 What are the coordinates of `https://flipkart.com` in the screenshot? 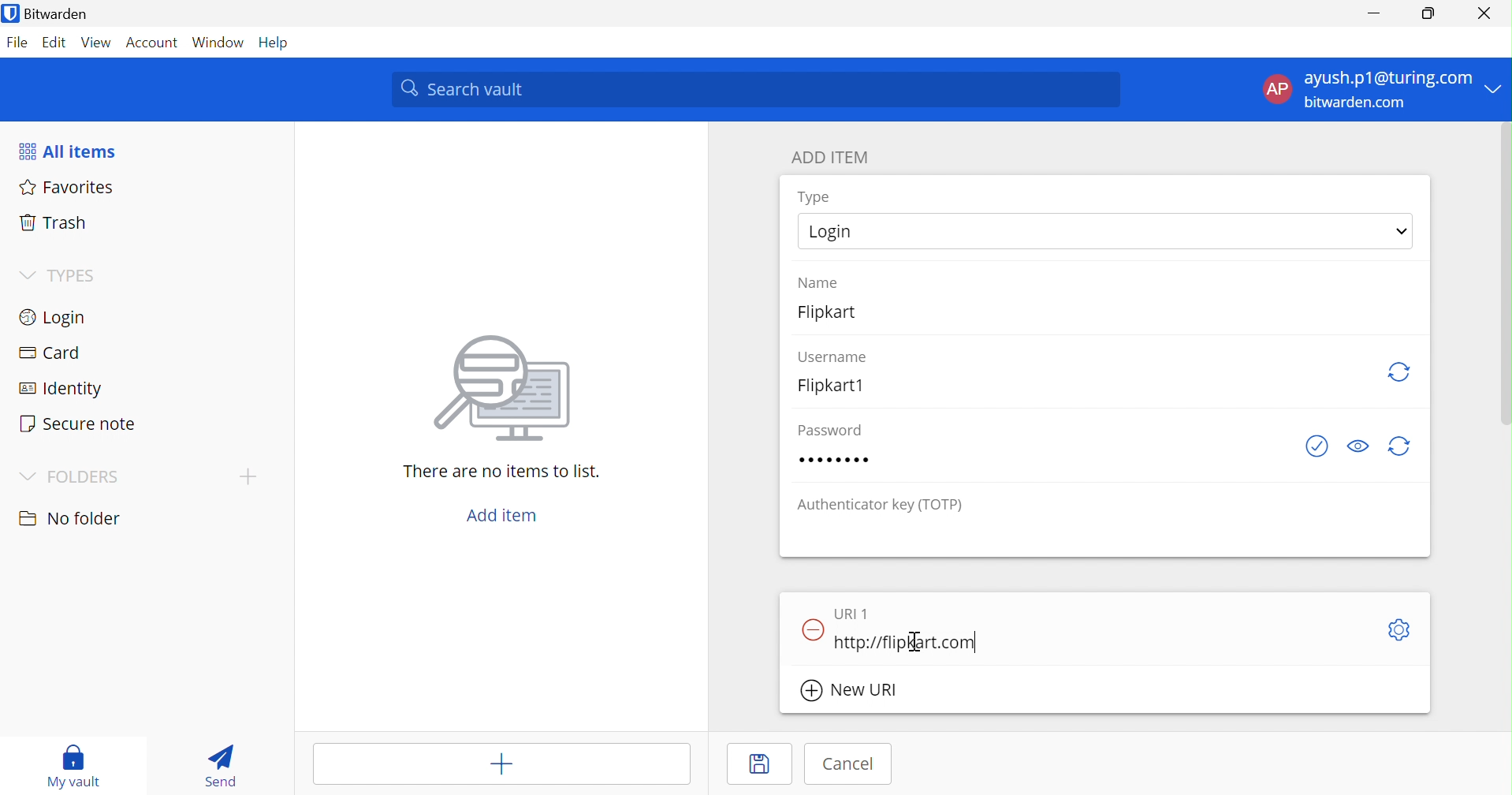 It's located at (907, 644).